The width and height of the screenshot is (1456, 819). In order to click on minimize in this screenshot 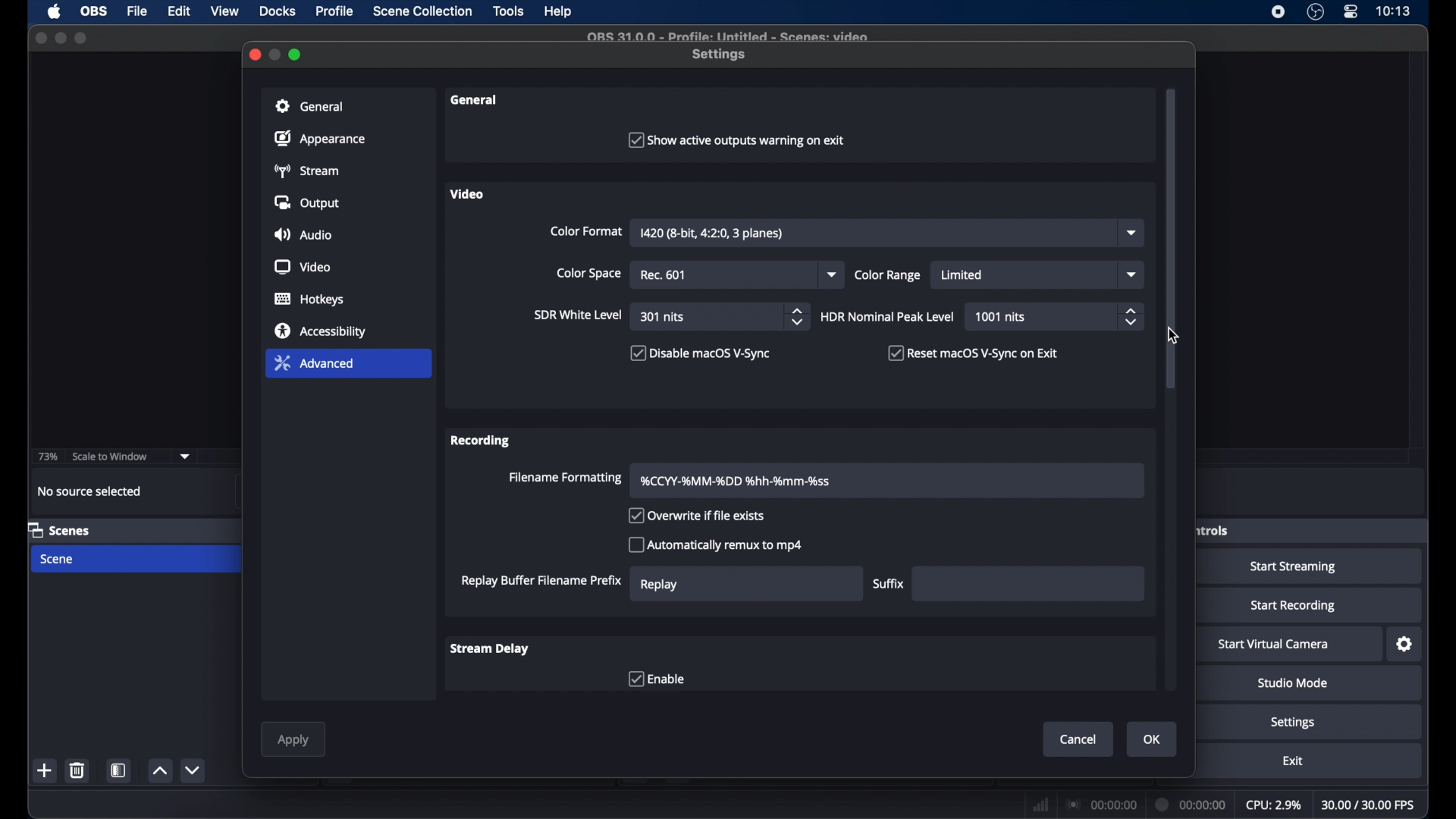, I will do `click(60, 38)`.